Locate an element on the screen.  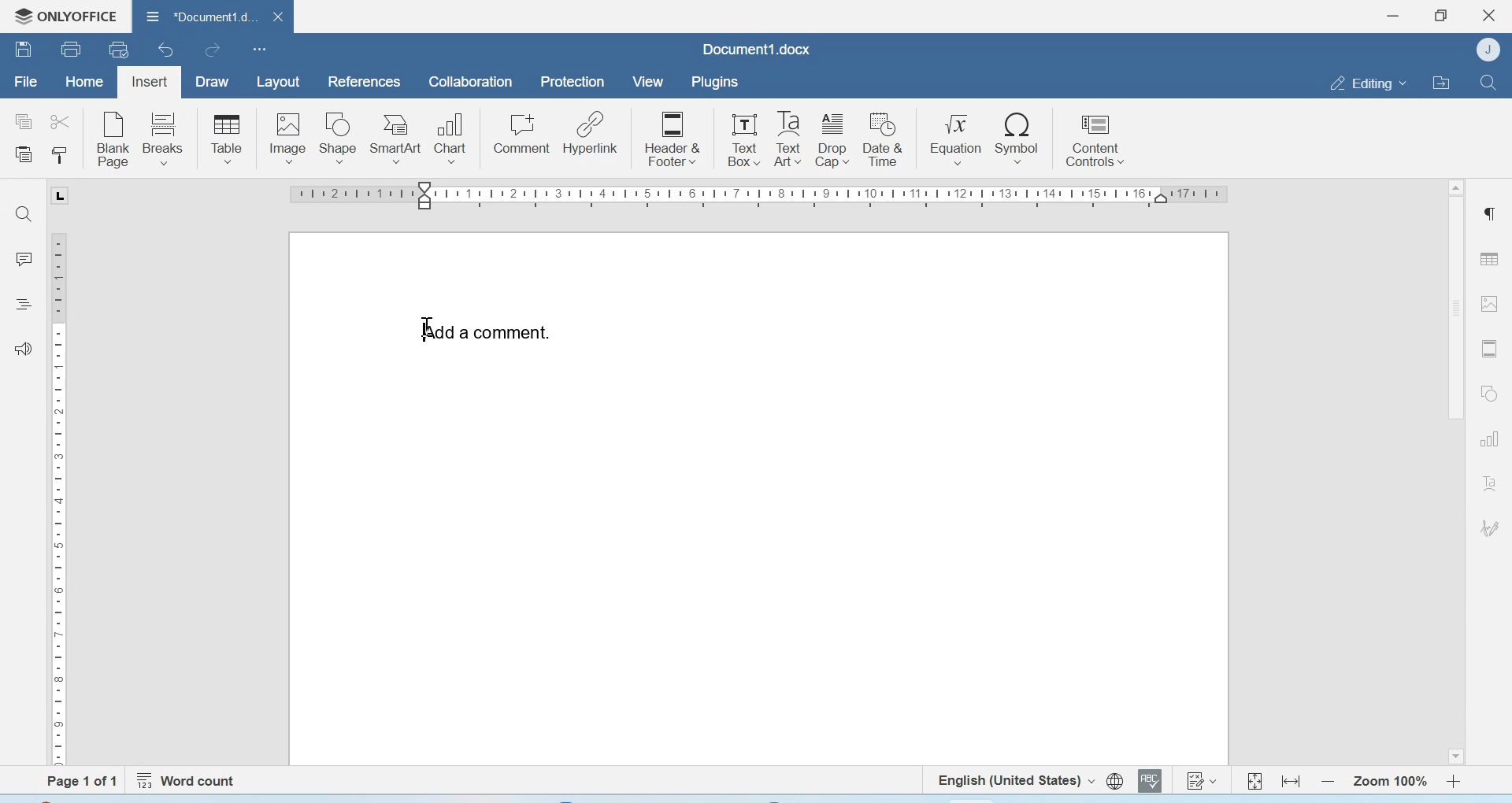
Signature is located at coordinates (1491, 528).